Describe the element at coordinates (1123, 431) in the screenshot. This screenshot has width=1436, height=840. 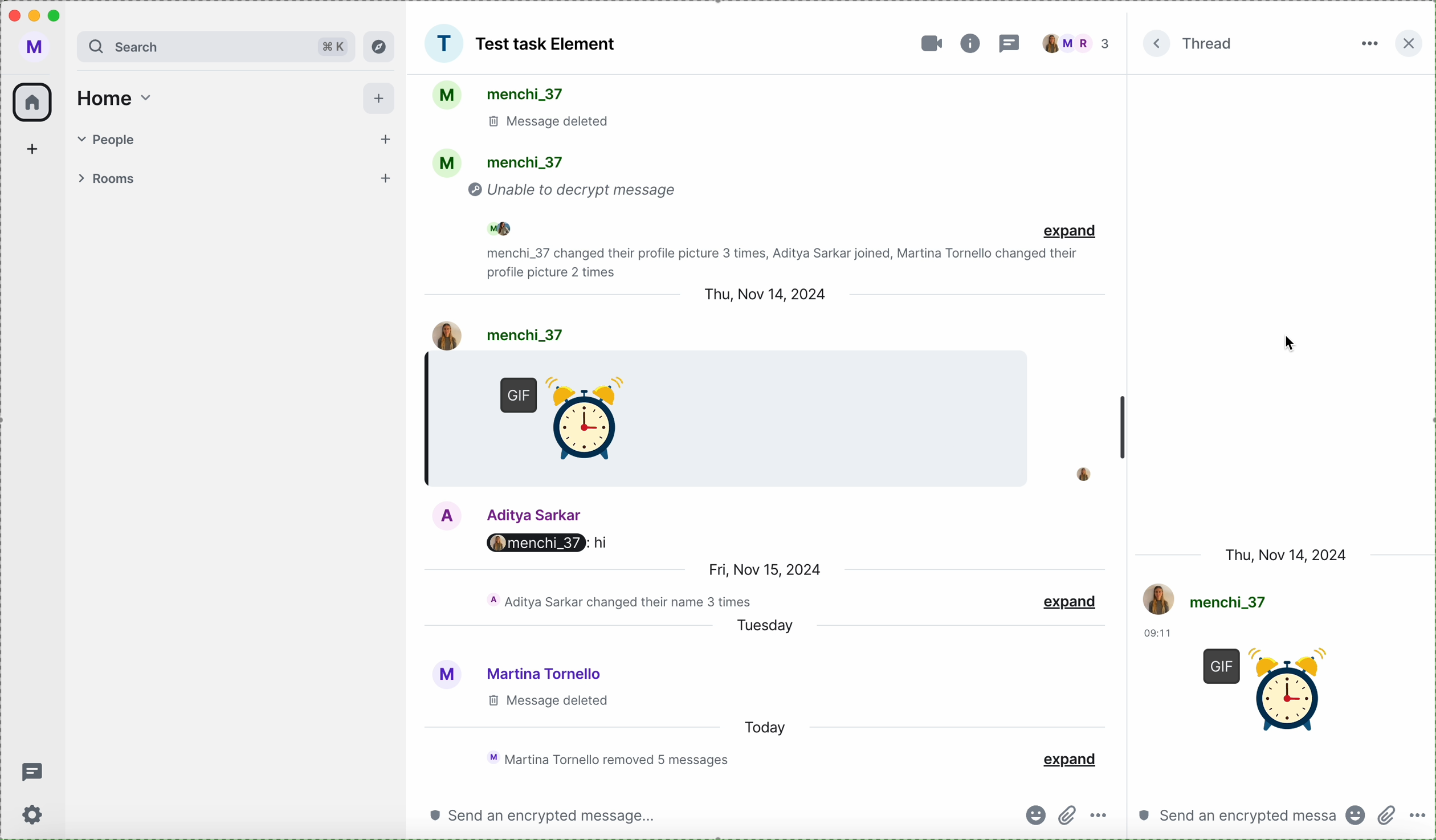
I see `scroll bar` at that location.